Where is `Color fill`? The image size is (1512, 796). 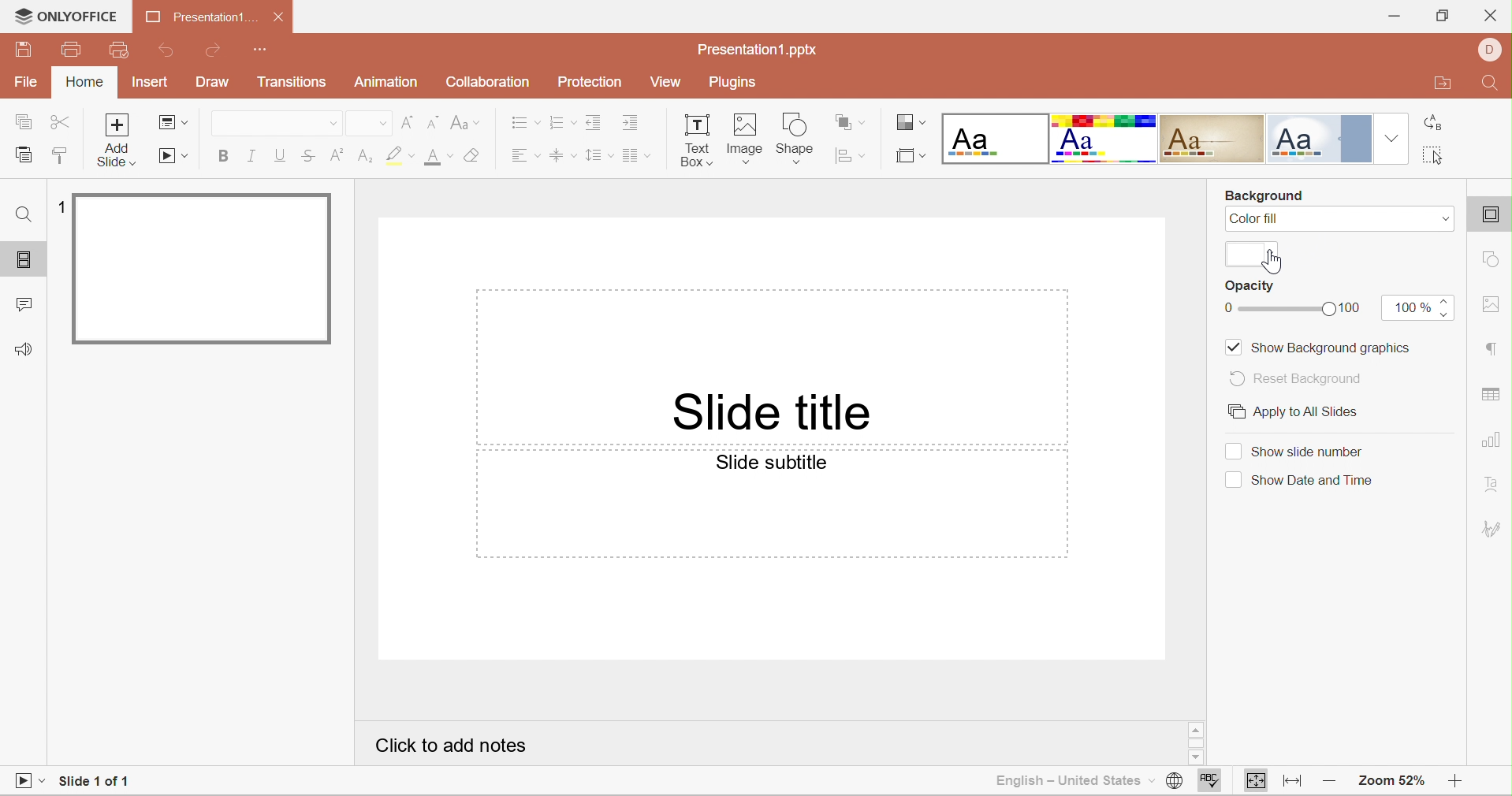
Color fill is located at coordinates (1256, 221).